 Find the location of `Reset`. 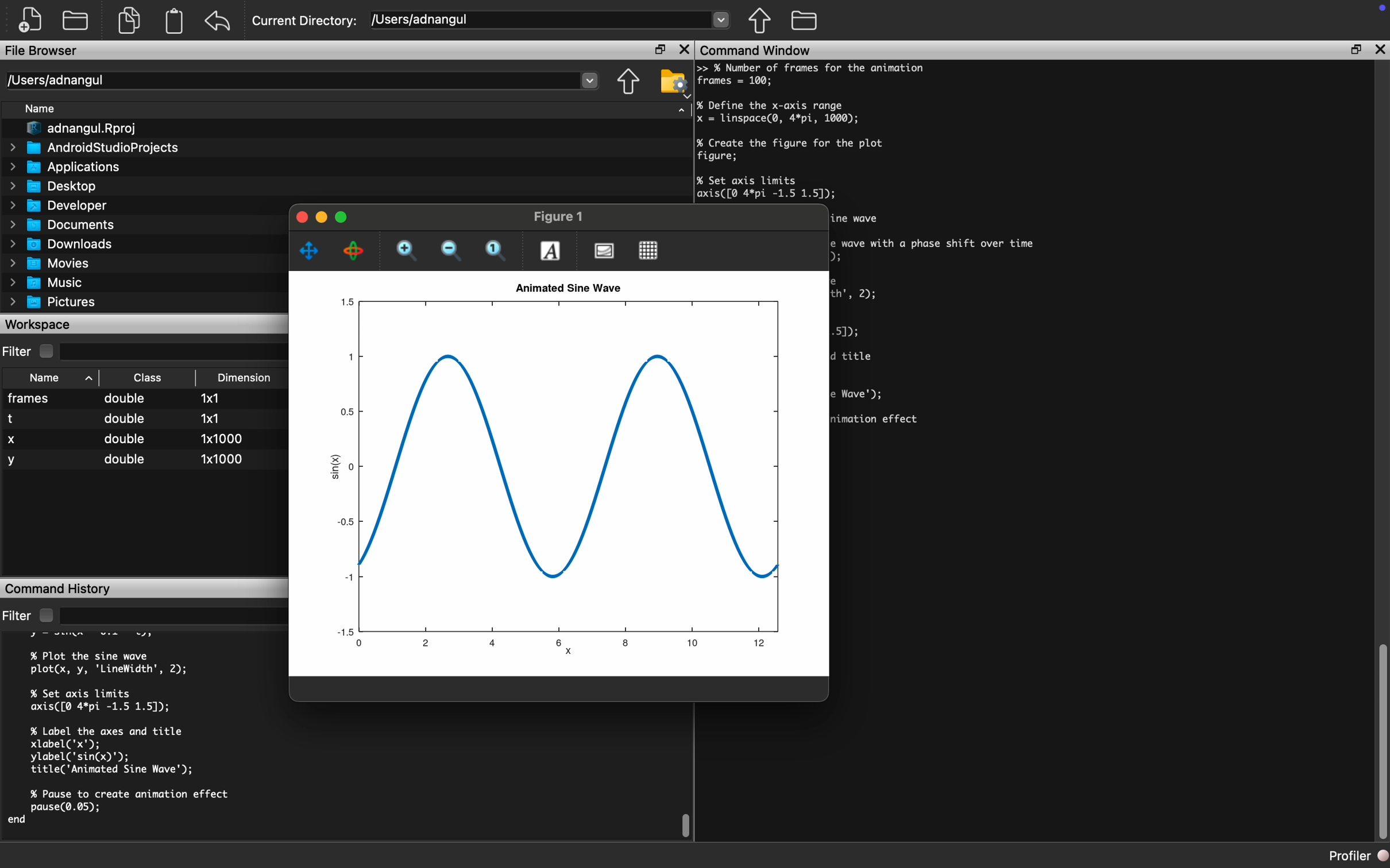

Reset is located at coordinates (218, 22).